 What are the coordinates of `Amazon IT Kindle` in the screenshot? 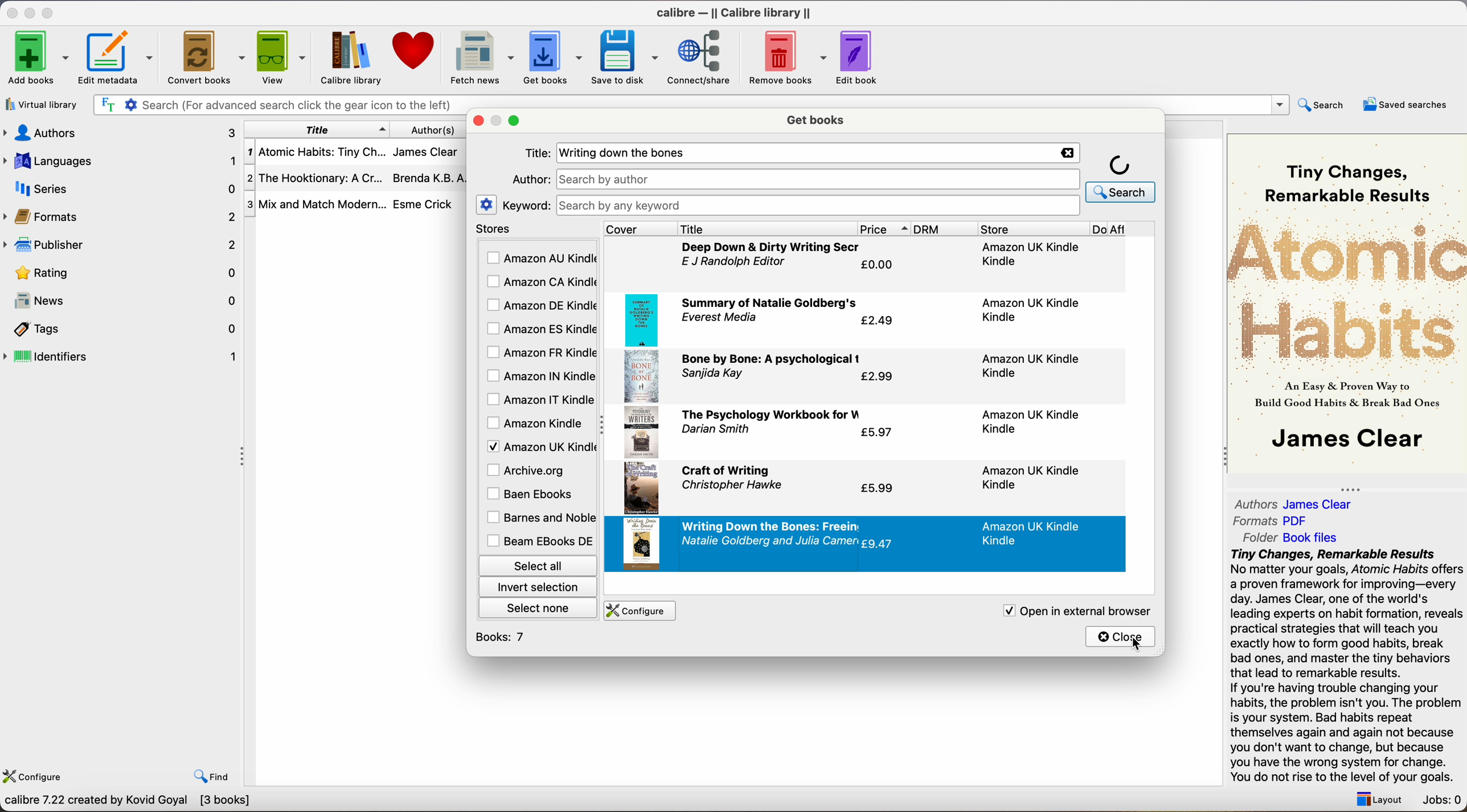 It's located at (541, 400).